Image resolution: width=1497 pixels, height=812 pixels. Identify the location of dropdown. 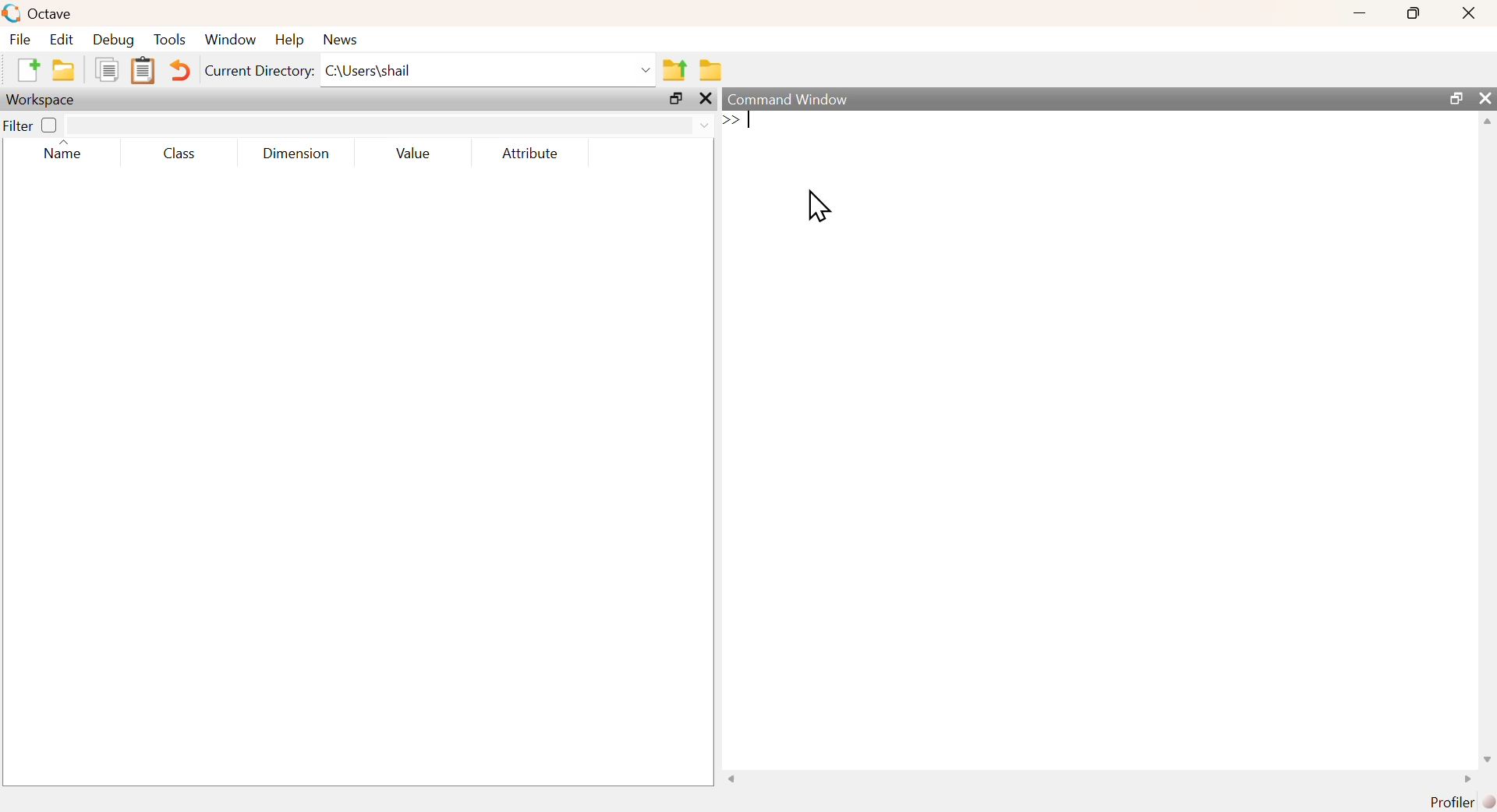
(704, 124).